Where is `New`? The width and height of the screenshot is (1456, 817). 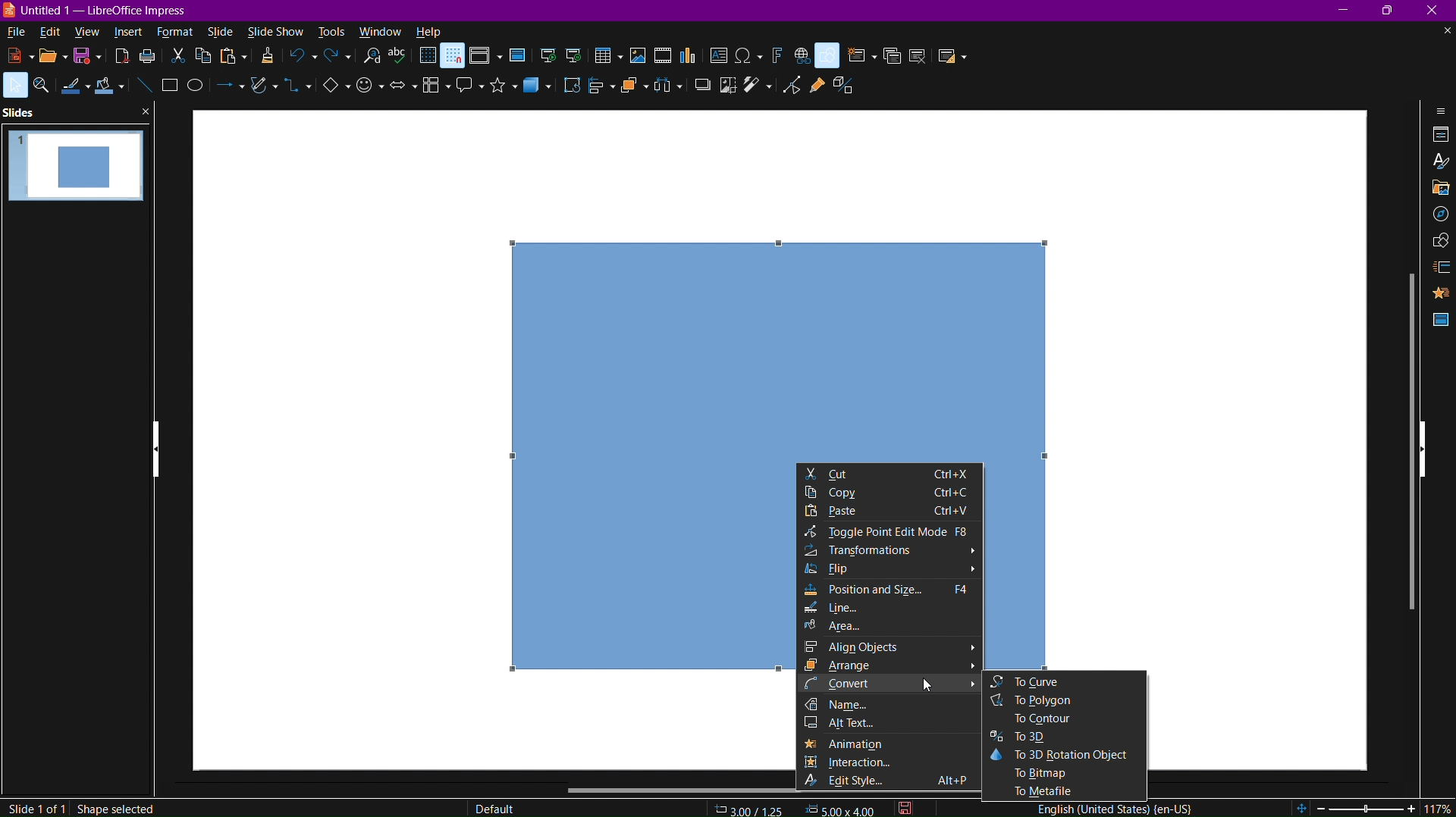 New is located at coordinates (14, 55).